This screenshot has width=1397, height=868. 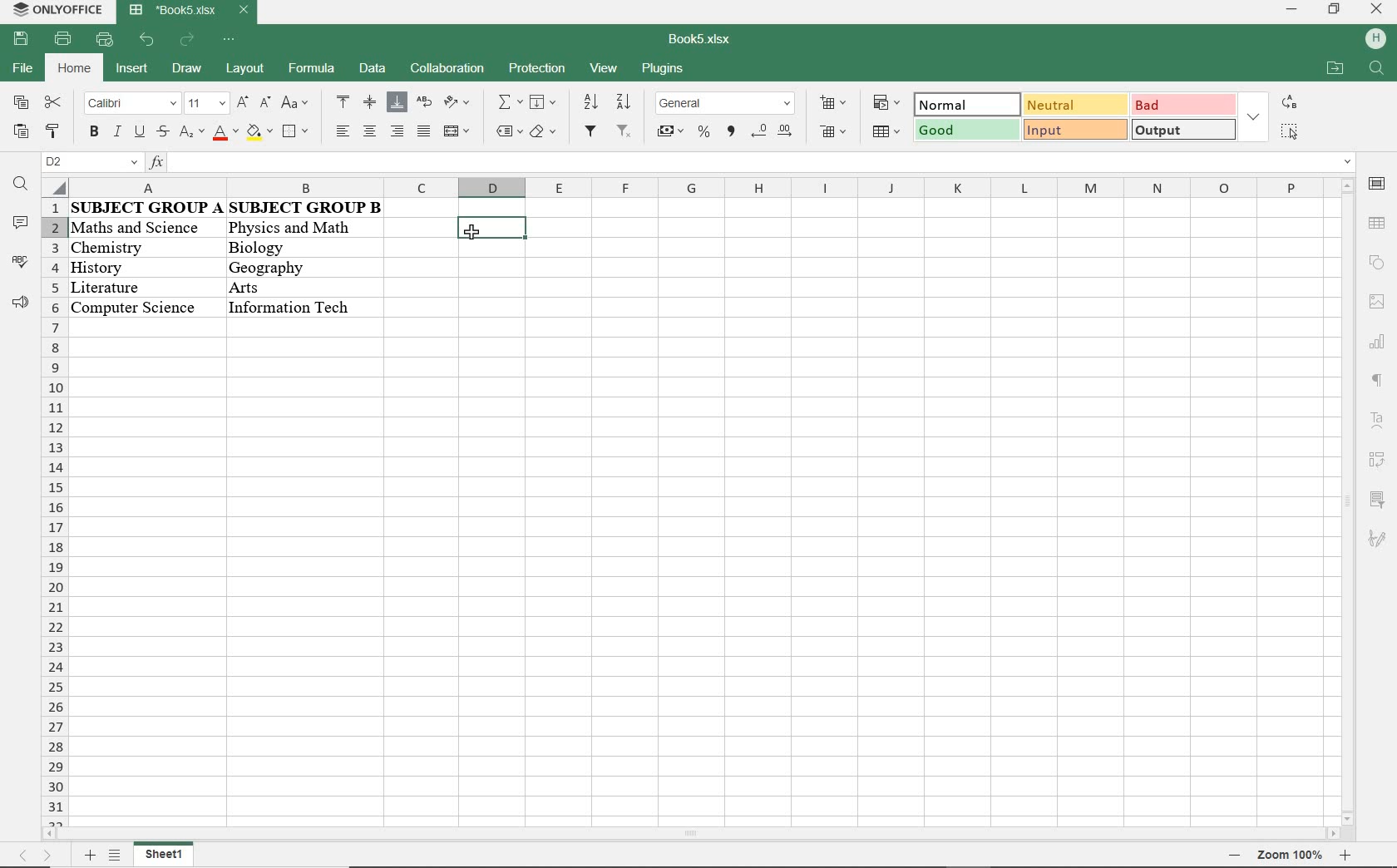 What do you see at coordinates (77, 67) in the screenshot?
I see `home` at bounding box center [77, 67].